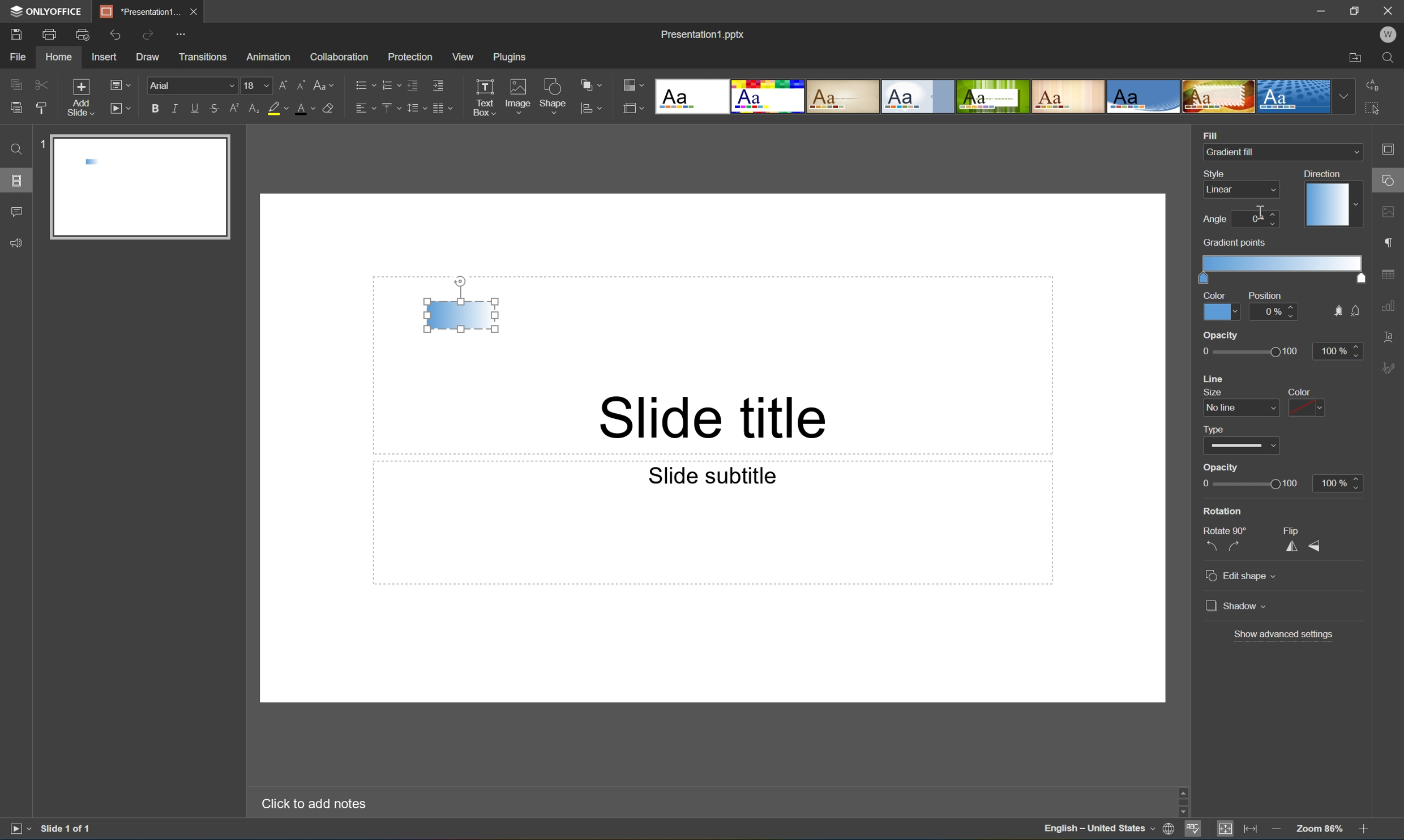 This screenshot has width=1404, height=840. I want to click on Text Box, so click(483, 97).